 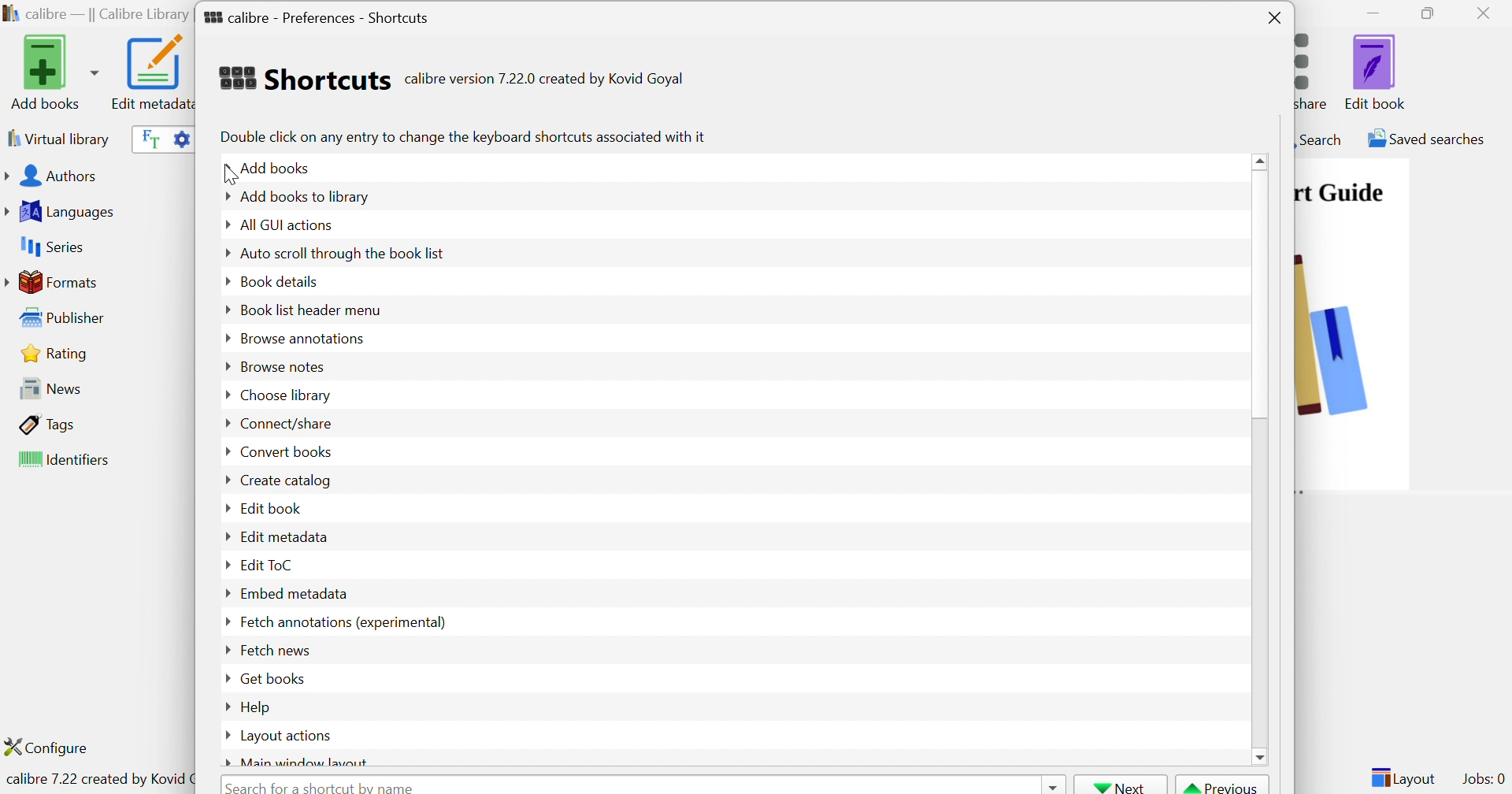 I want to click on Edit book, so click(x=272, y=507).